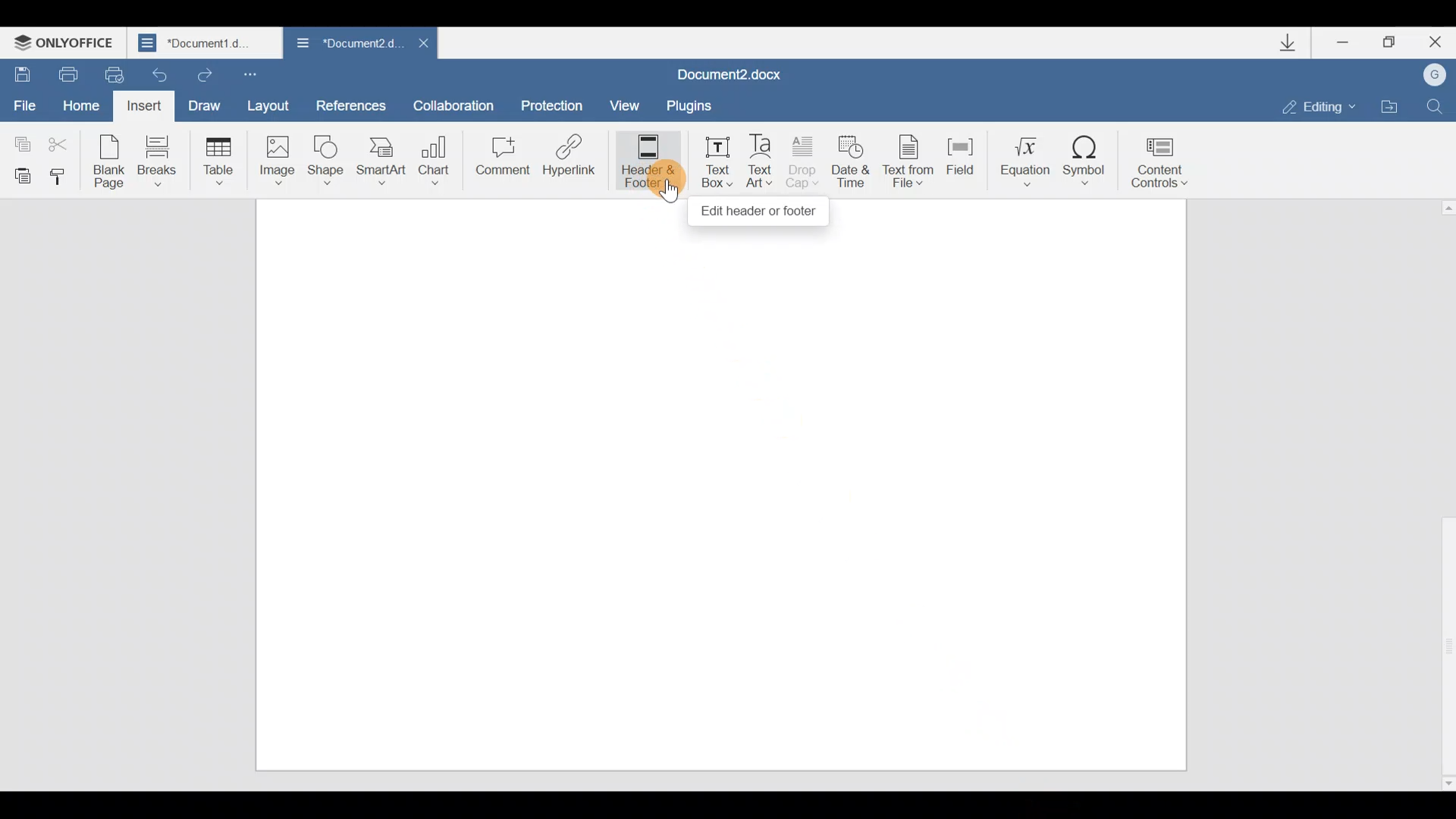 Image resolution: width=1456 pixels, height=819 pixels. What do you see at coordinates (155, 161) in the screenshot?
I see `Breaks` at bounding box center [155, 161].